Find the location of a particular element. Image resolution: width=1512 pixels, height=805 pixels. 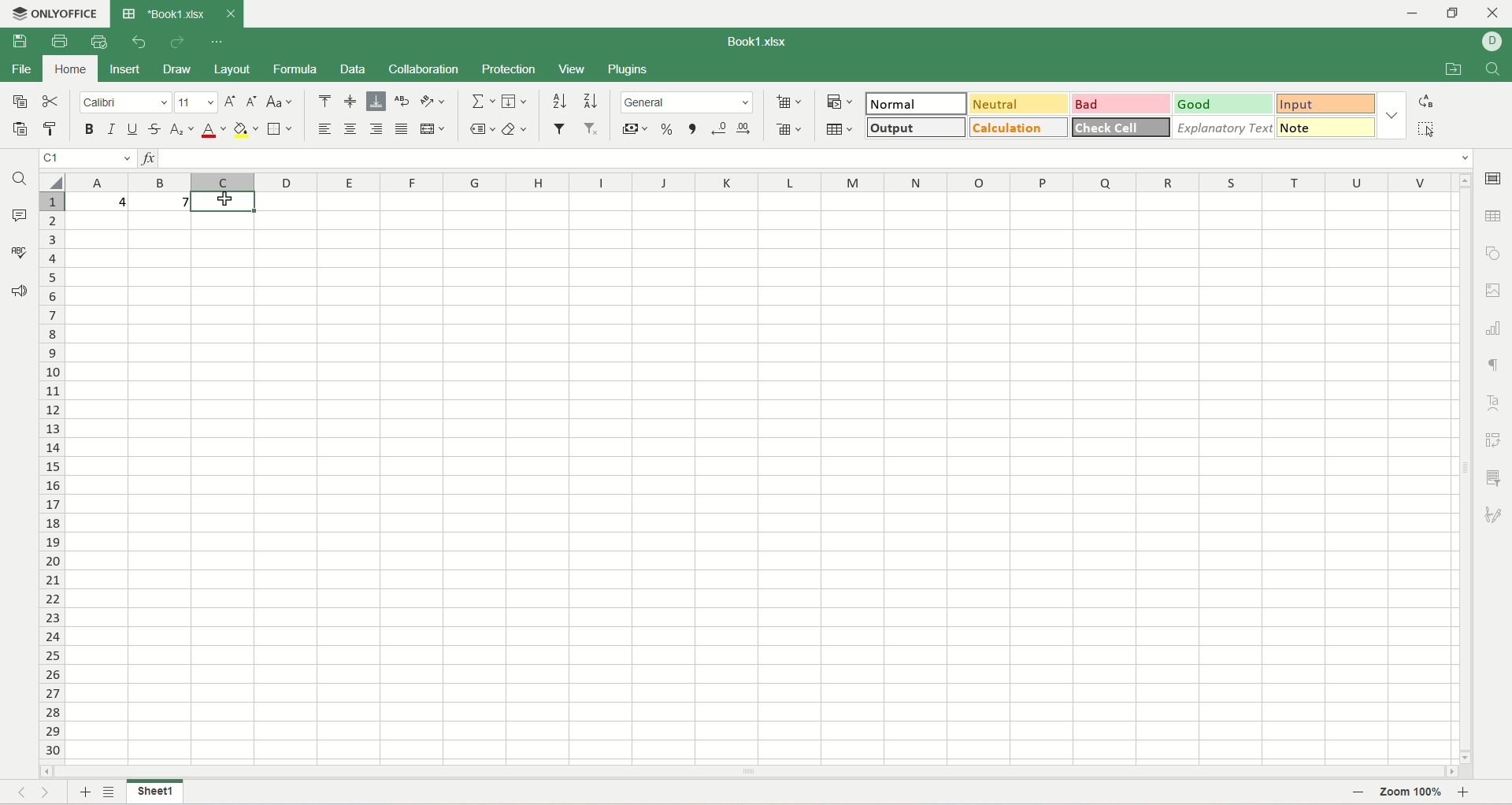

remove filter is located at coordinates (595, 128).